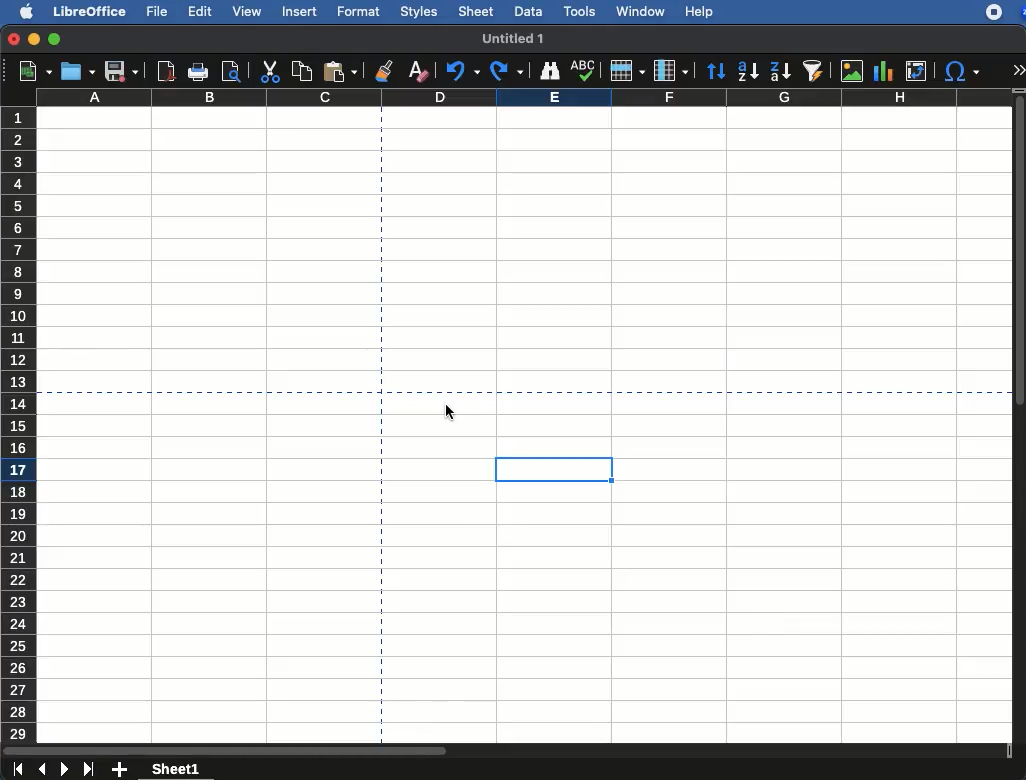 Image resolution: width=1026 pixels, height=780 pixels. I want to click on page break, so click(381, 568).